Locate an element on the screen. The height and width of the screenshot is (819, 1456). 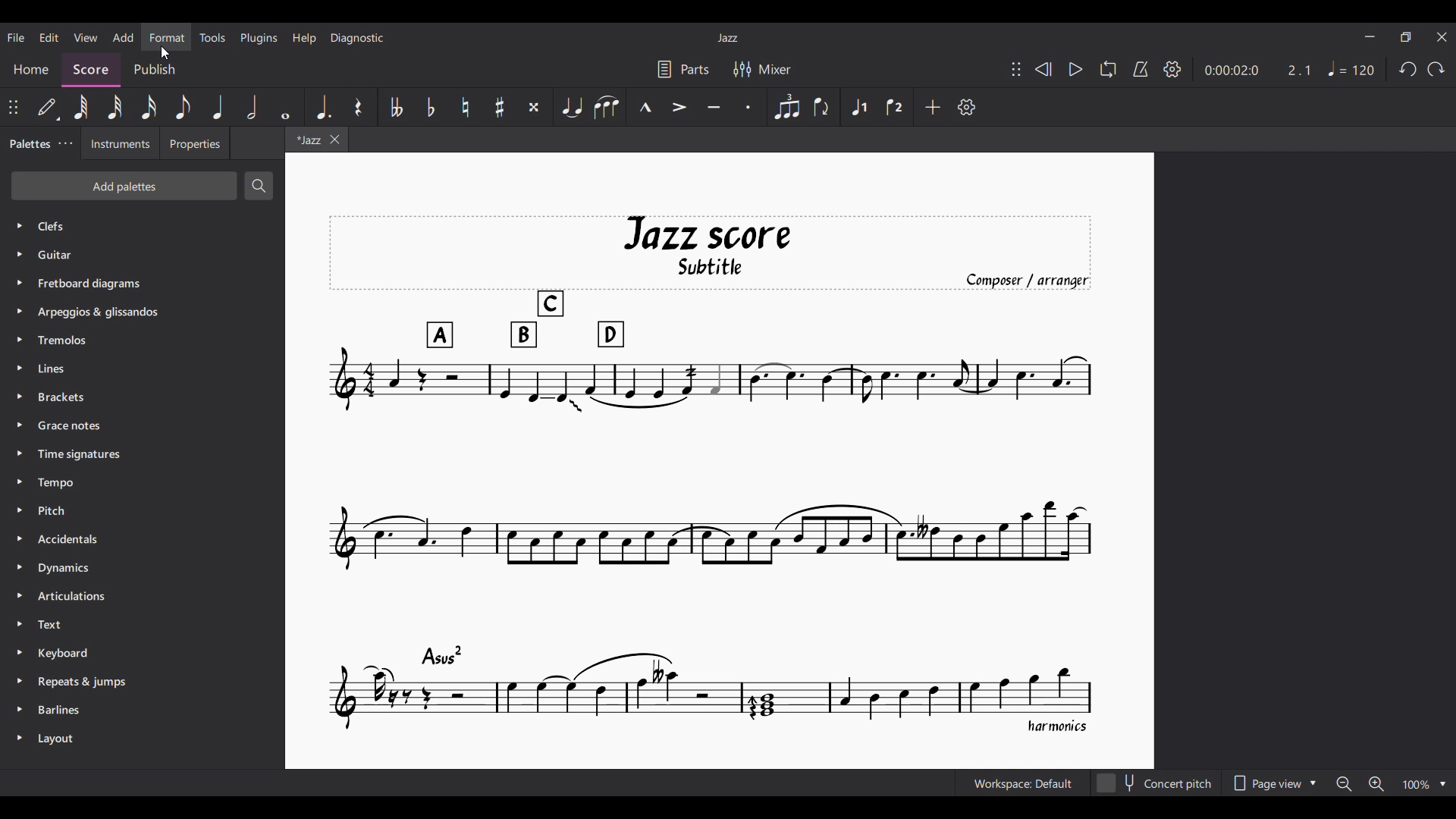
Quarter note is located at coordinates (218, 107).